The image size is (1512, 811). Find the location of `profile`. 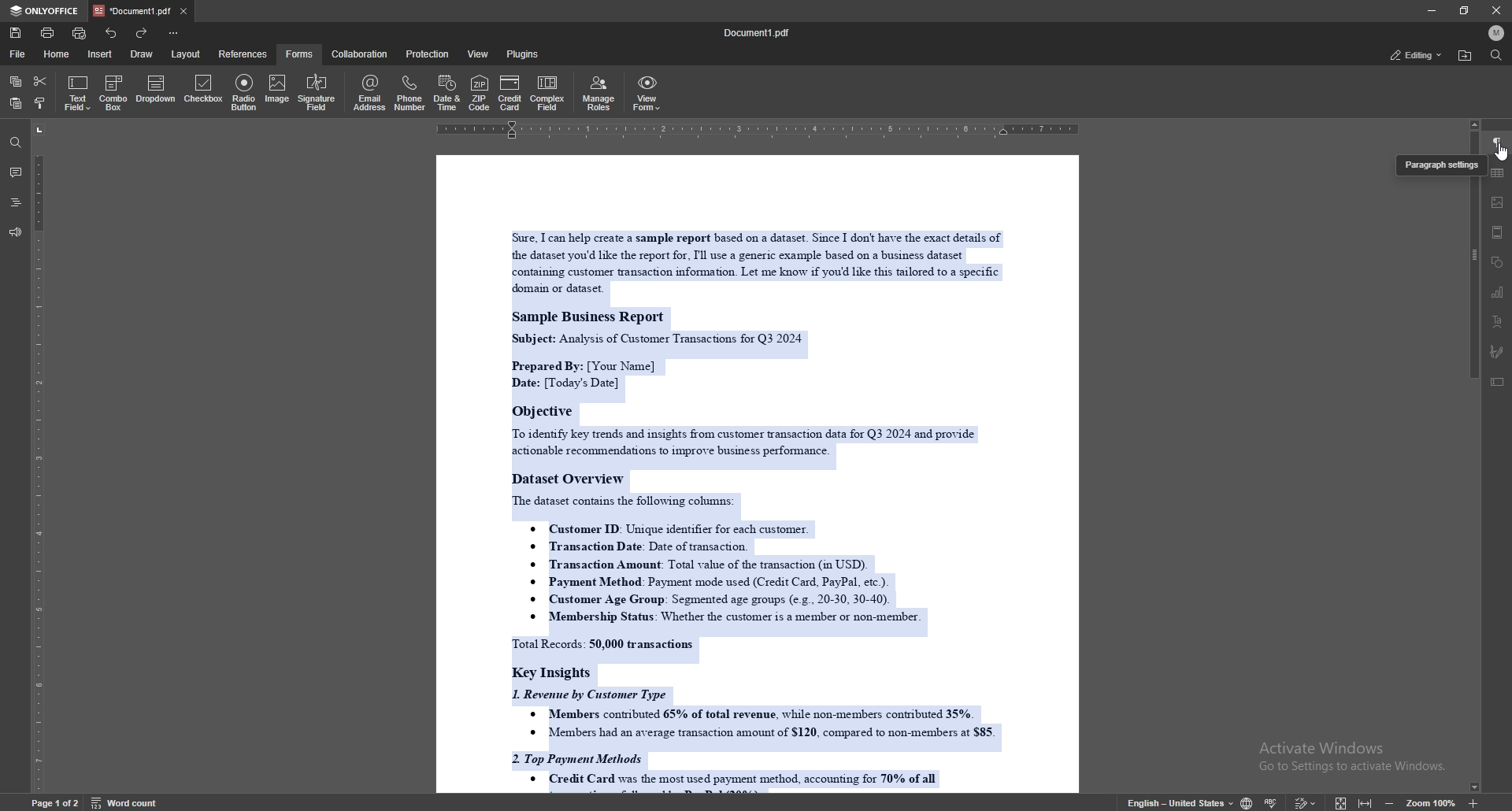

profile is located at coordinates (1496, 32).